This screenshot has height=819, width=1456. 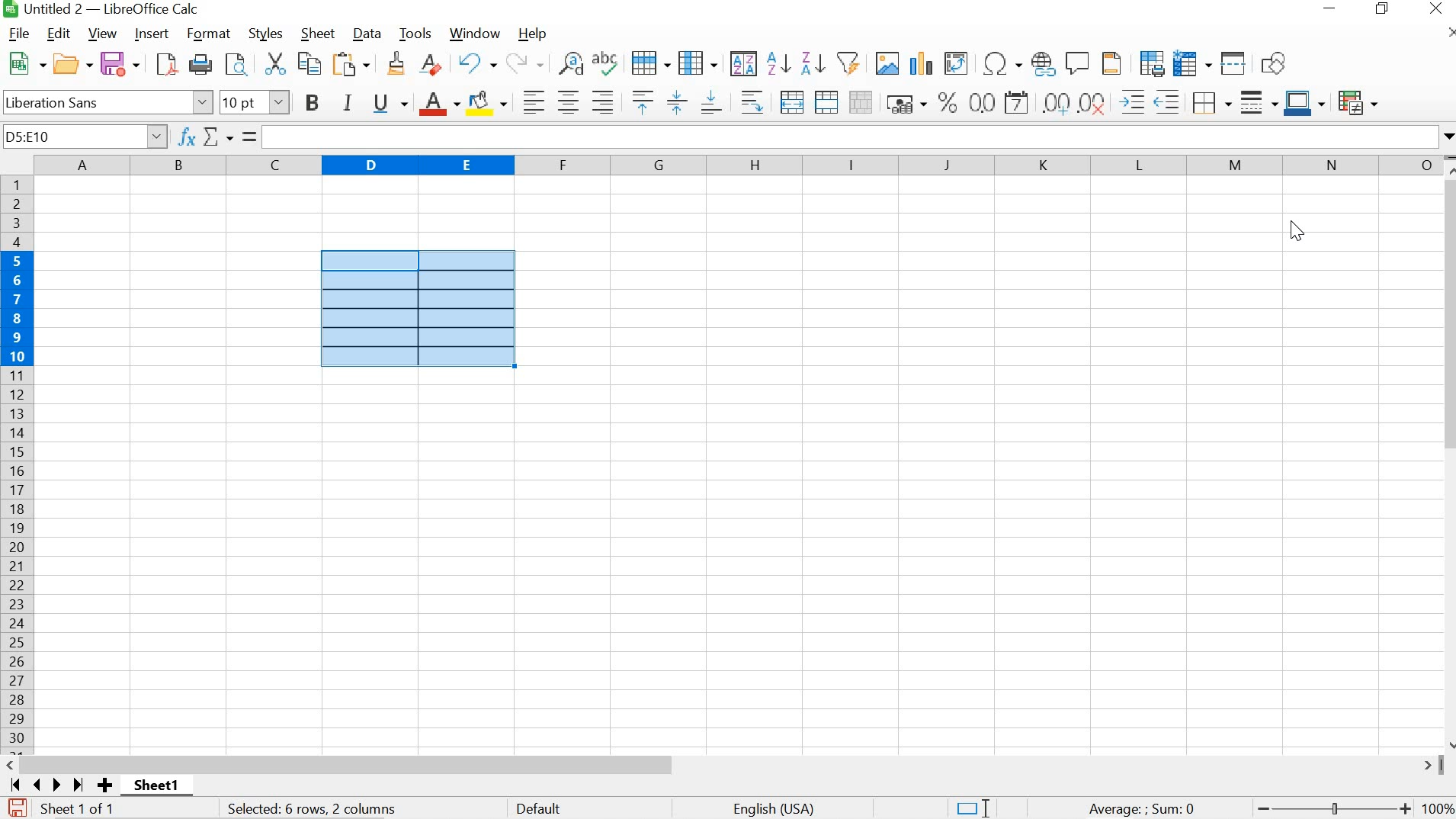 I want to click on FORMAT, so click(x=207, y=34).